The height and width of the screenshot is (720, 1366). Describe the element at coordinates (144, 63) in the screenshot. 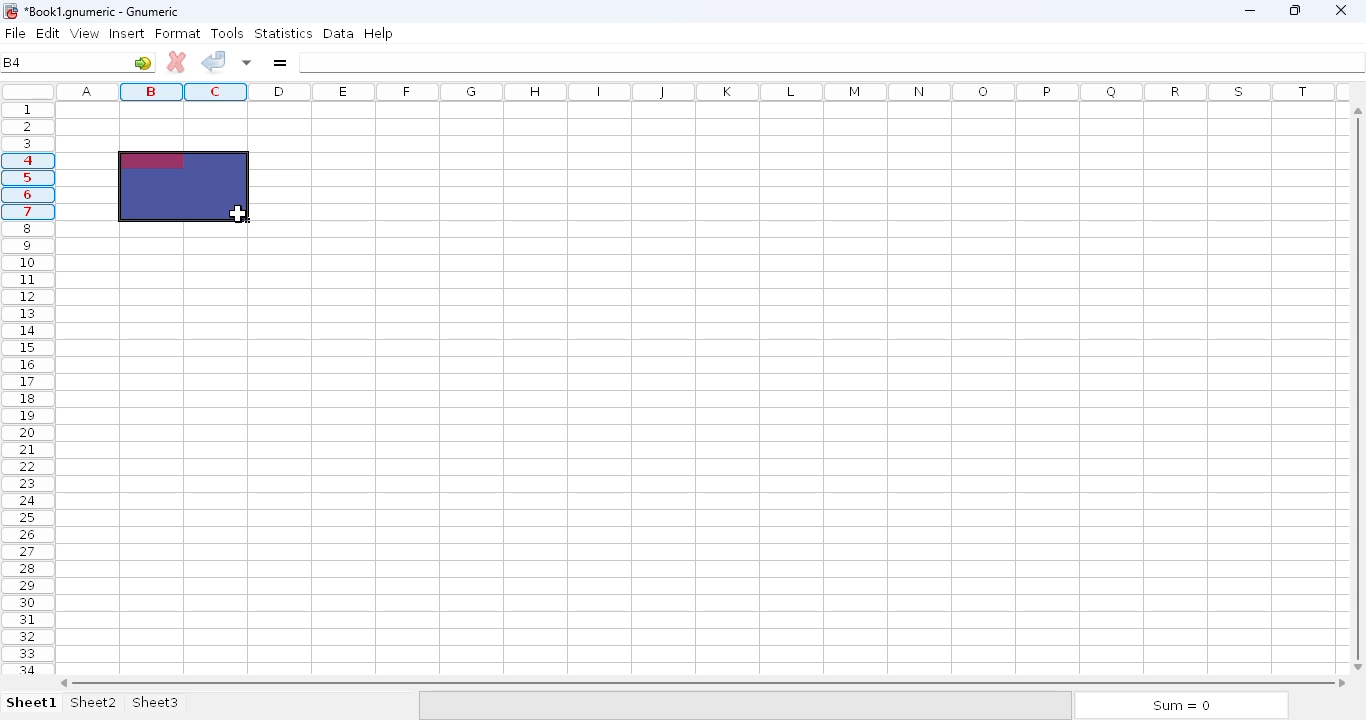

I see `go to` at that location.